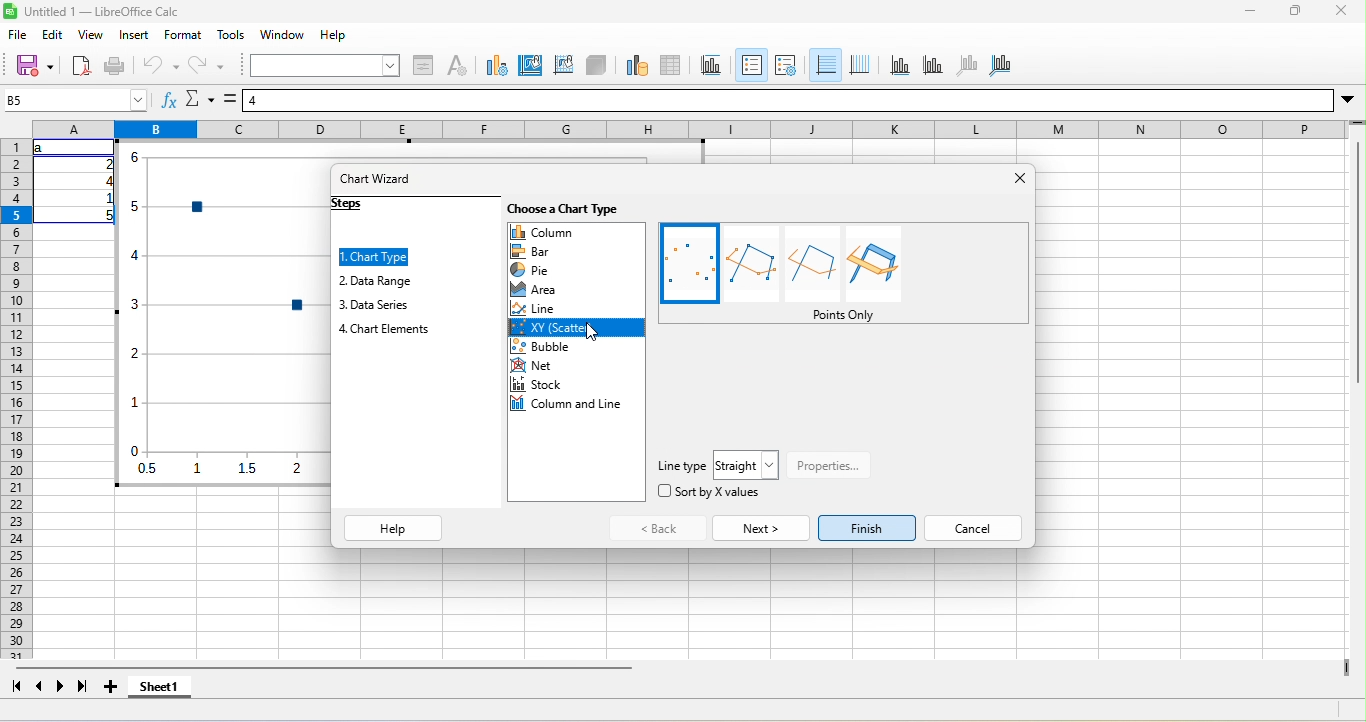 The width and height of the screenshot is (1366, 722). I want to click on character, so click(457, 67).